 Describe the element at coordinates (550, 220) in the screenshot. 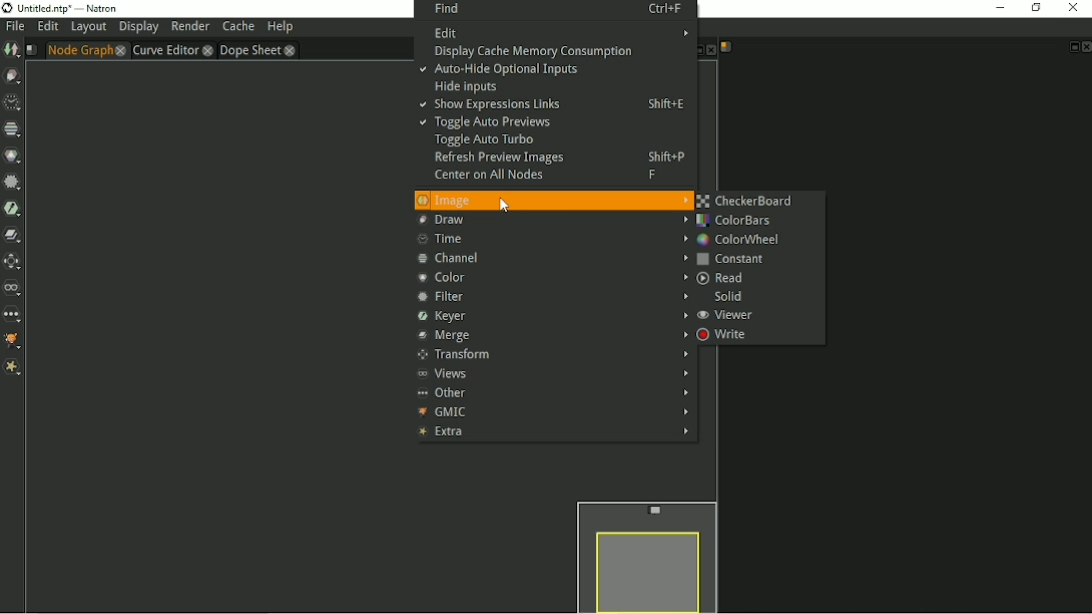

I see `Draw` at that location.